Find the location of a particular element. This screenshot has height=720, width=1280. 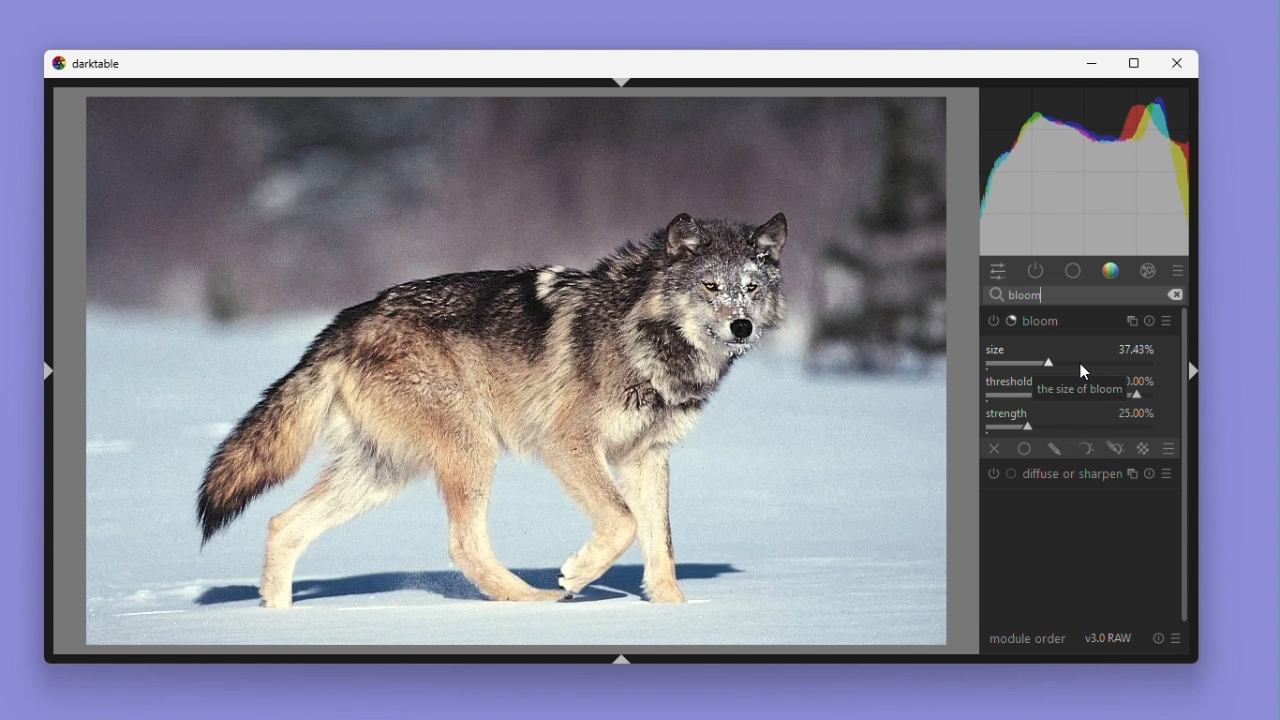

Histogram is located at coordinates (1086, 171).